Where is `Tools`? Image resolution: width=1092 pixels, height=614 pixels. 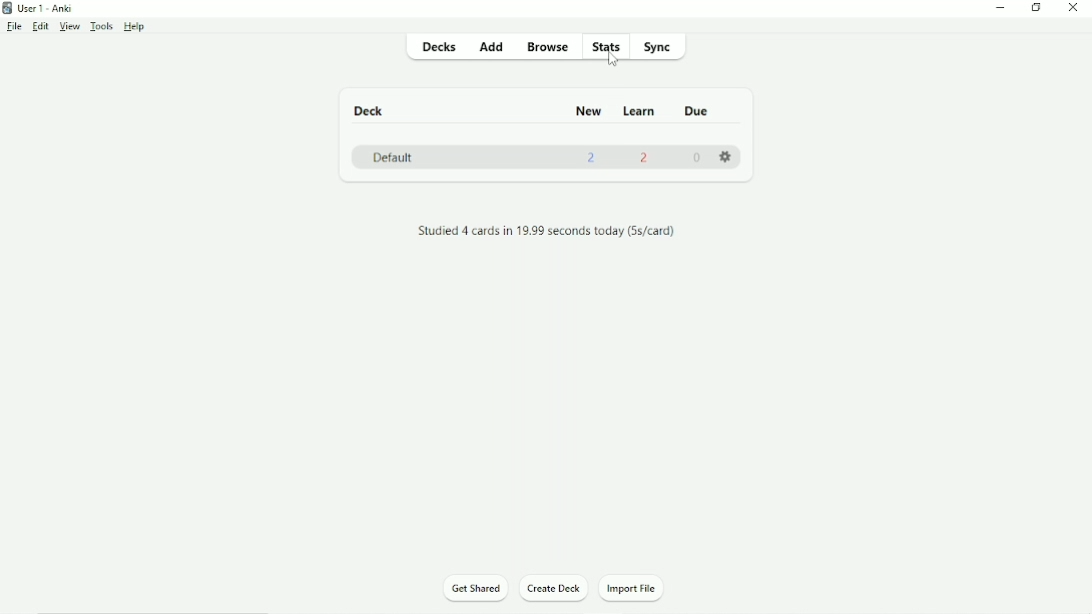 Tools is located at coordinates (103, 27).